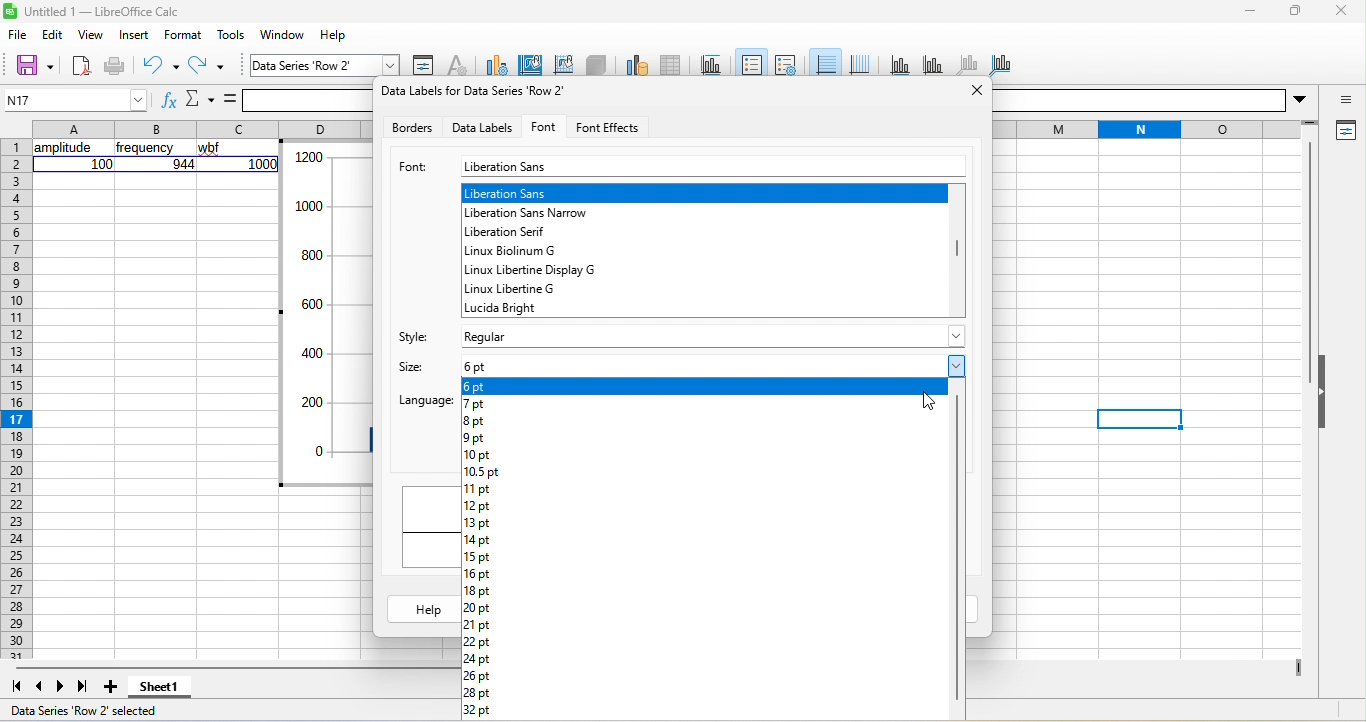 The image size is (1366, 722). Describe the element at coordinates (93, 710) in the screenshot. I see `data series row 2 selected` at that location.